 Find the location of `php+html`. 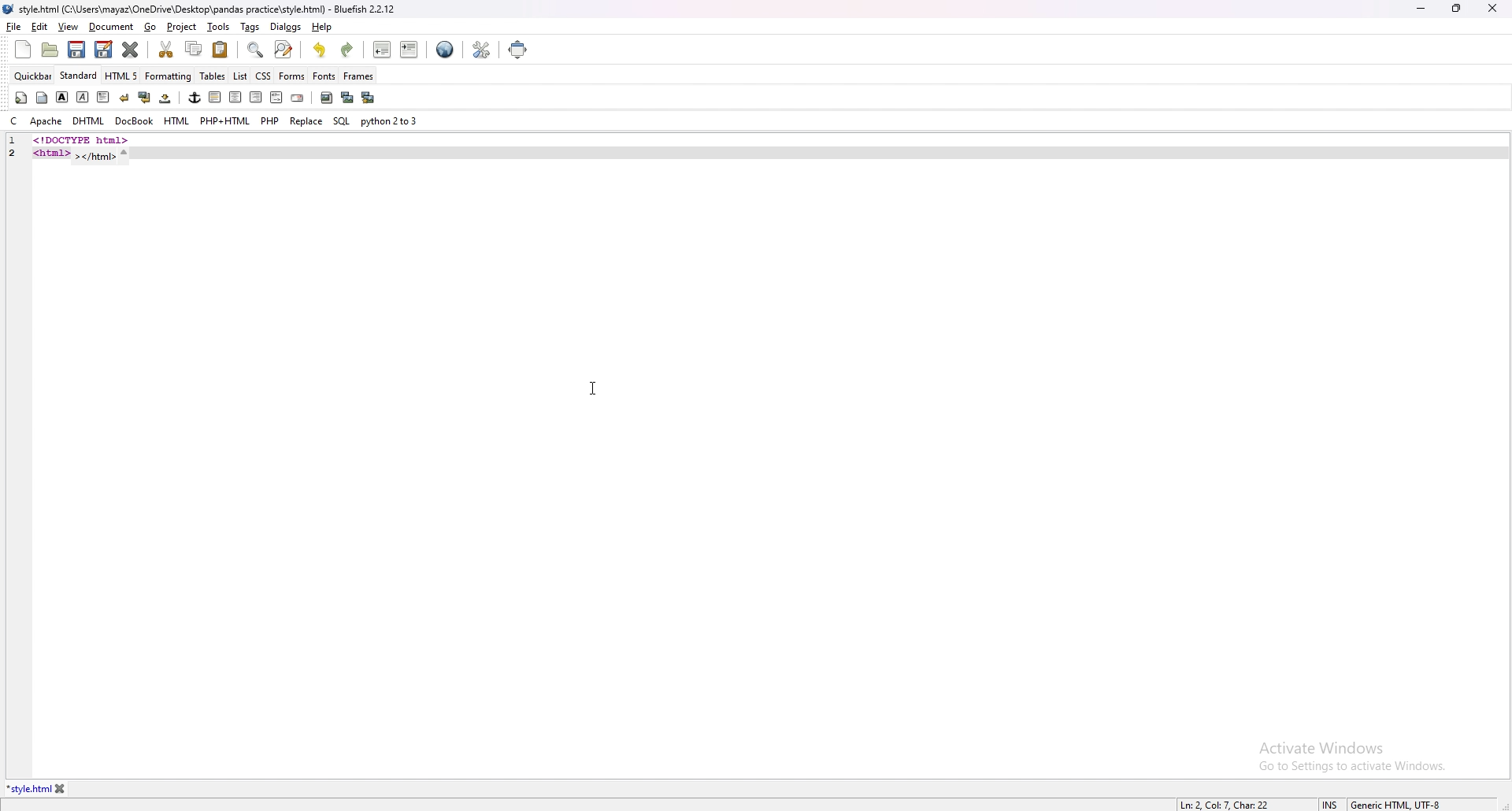

php+html is located at coordinates (225, 121).